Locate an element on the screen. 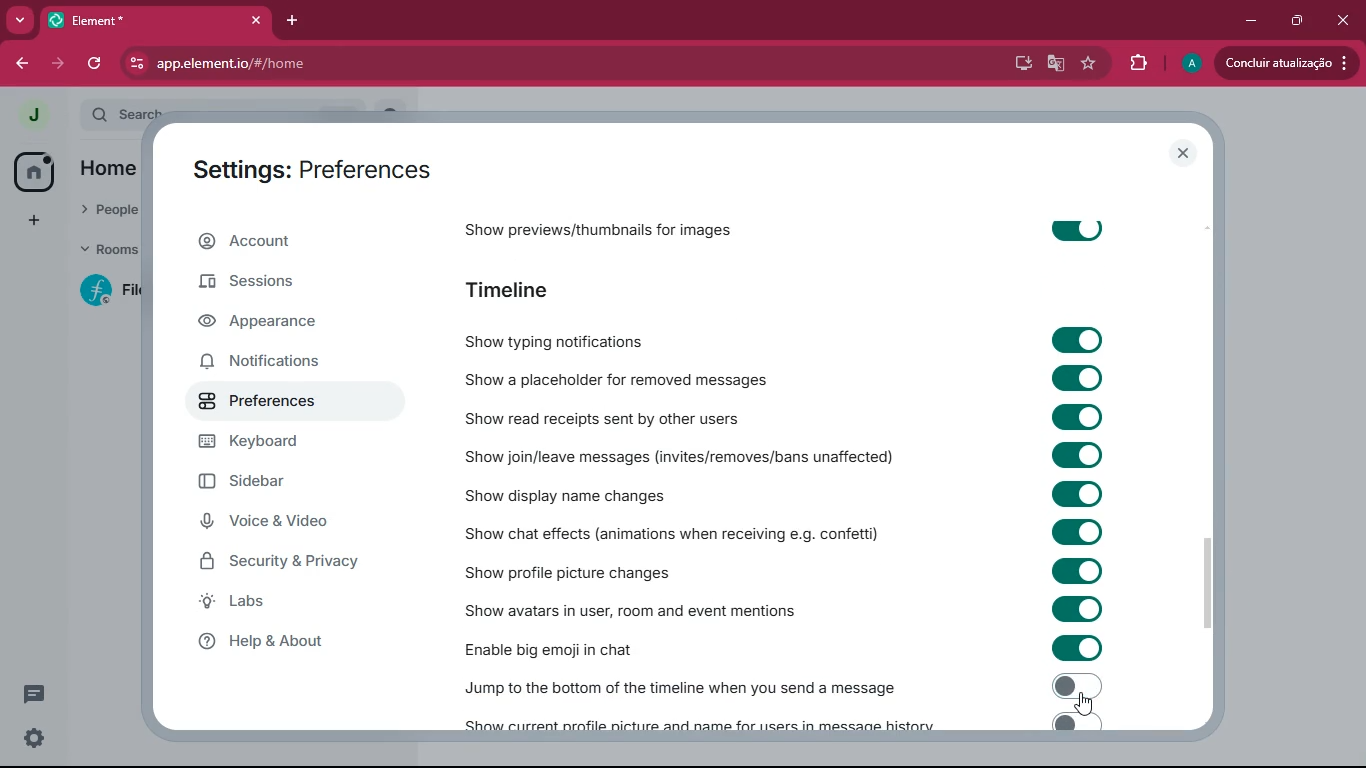  comments is located at coordinates (34, 694).